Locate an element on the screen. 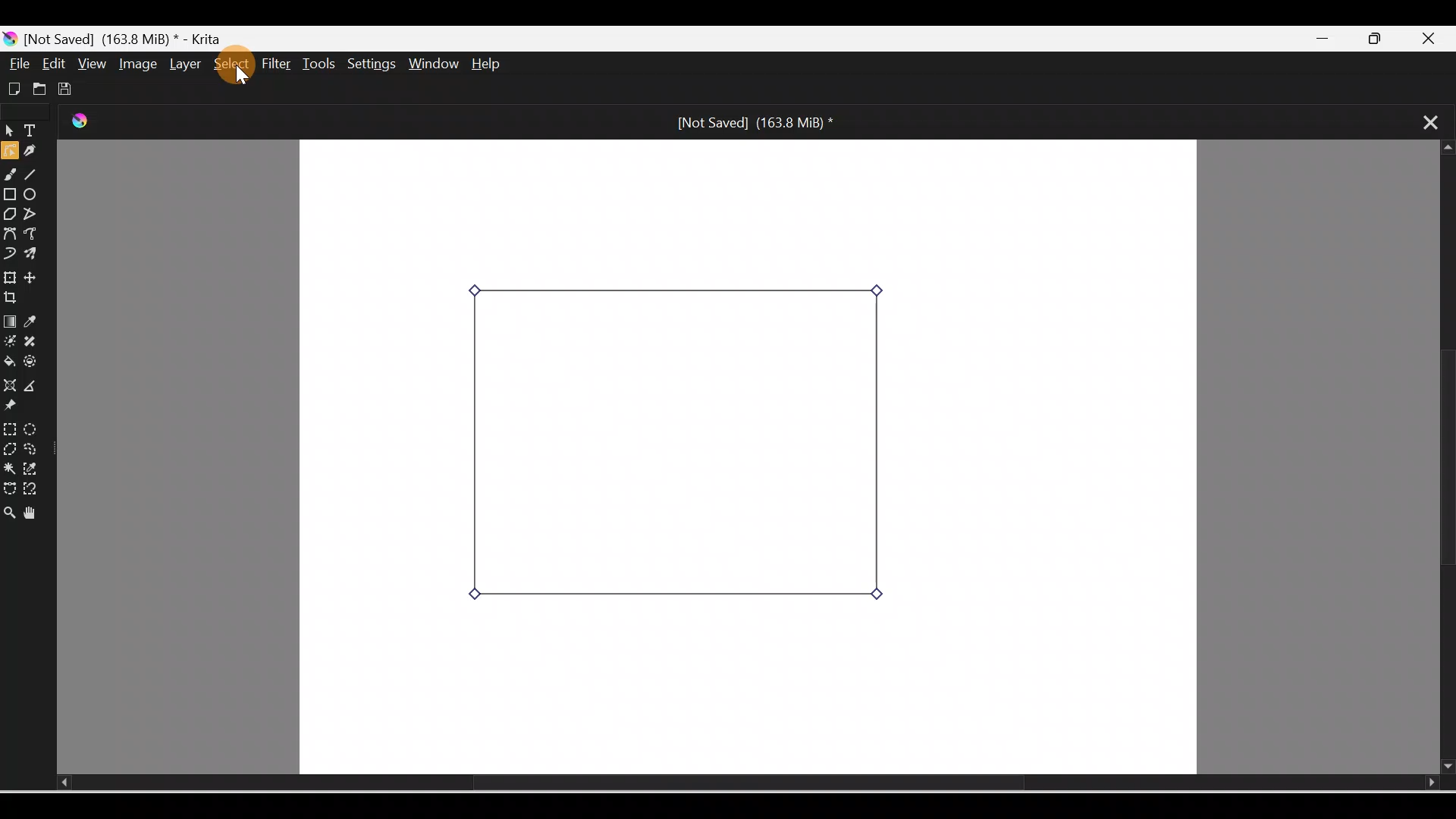  Sample a color from image/current layer is located at coordinates (36, 322).